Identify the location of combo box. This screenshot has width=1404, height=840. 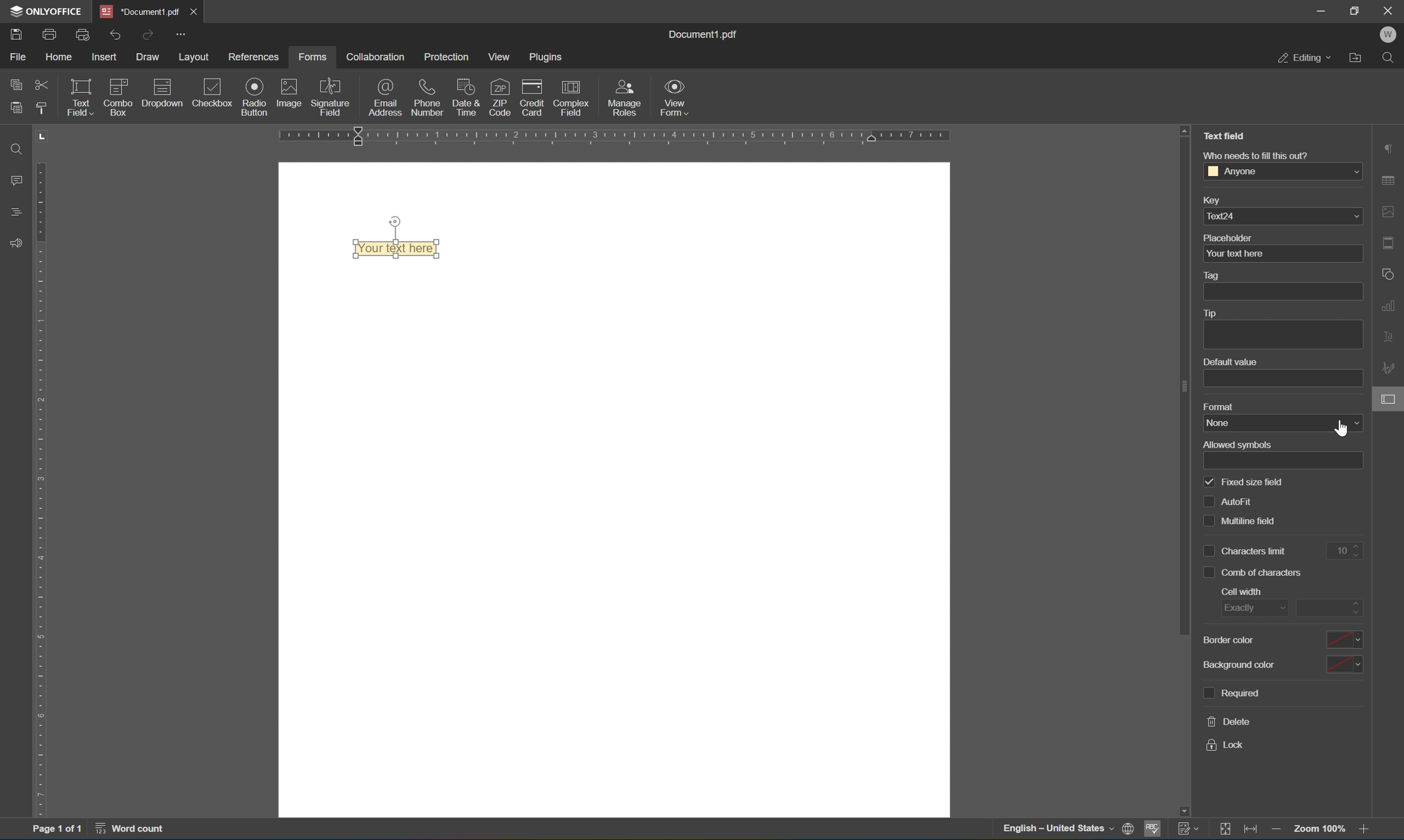
(119, 96).